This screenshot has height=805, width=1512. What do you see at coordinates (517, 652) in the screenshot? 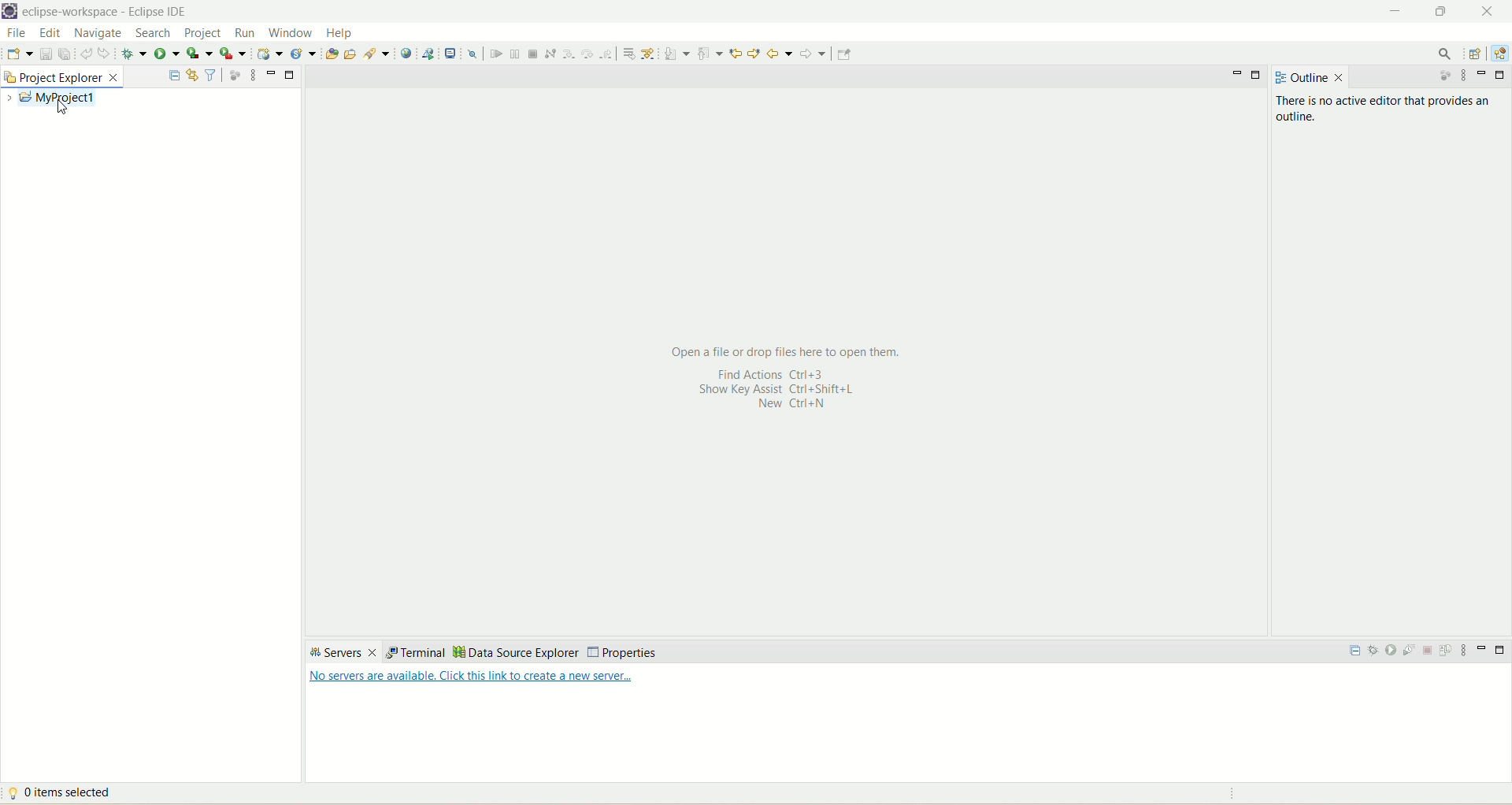
I see `data source explorer` at bounding box center [517, 652].